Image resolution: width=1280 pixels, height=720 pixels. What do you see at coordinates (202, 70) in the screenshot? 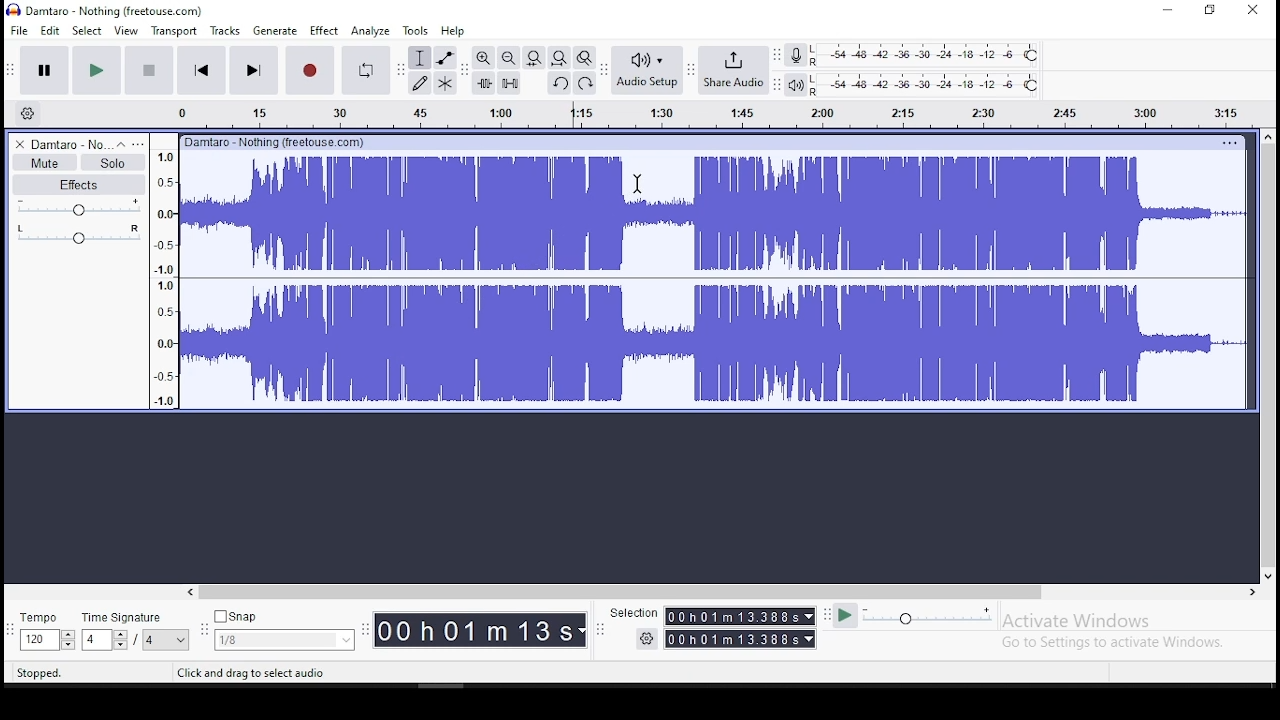
I see `skip to start` at bounding box center [202, 70].